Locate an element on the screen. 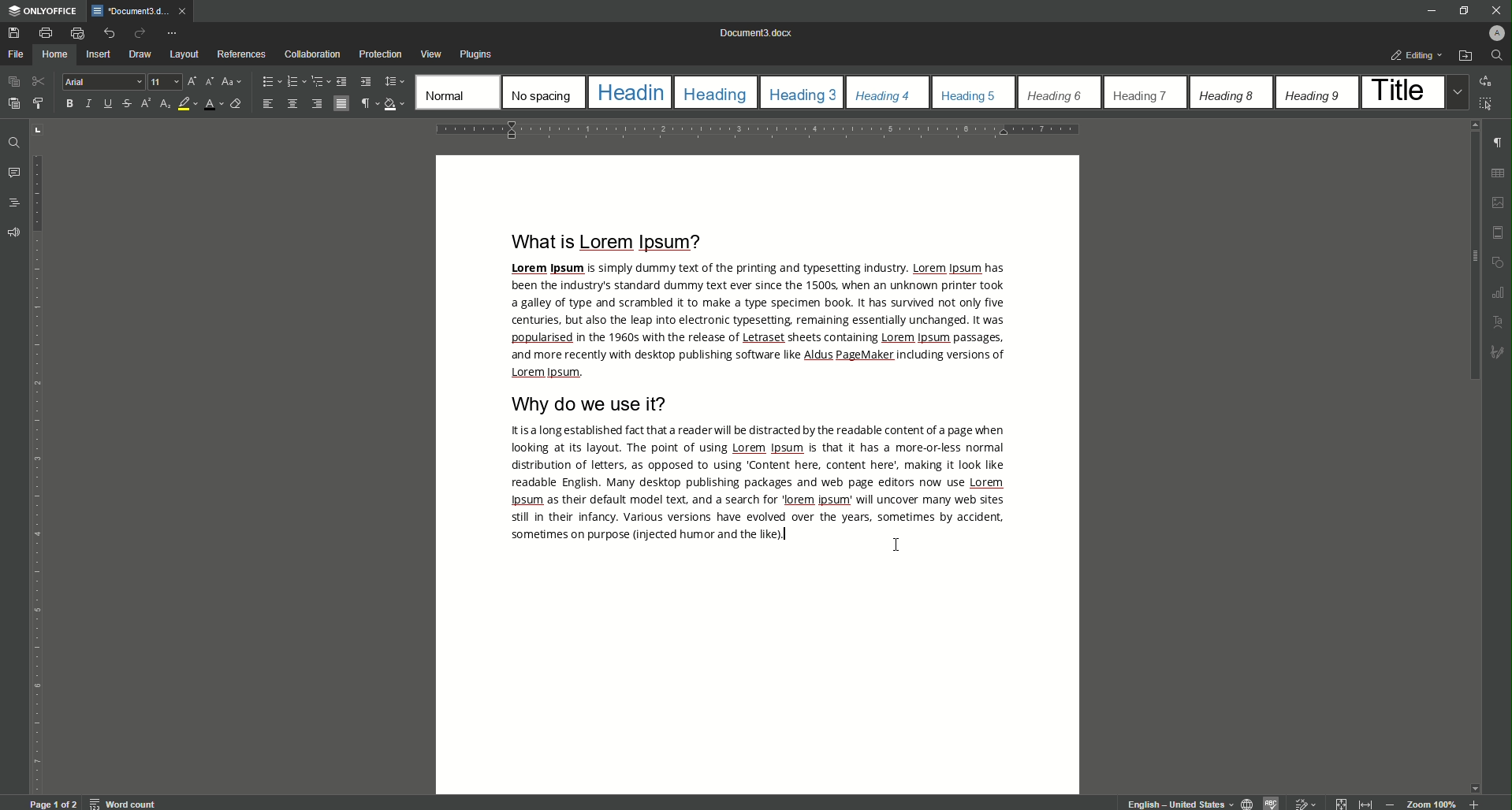 Image resolution: width=1512 pixels, height=810 pixels. Cursor is located at coordinates (897, 544).